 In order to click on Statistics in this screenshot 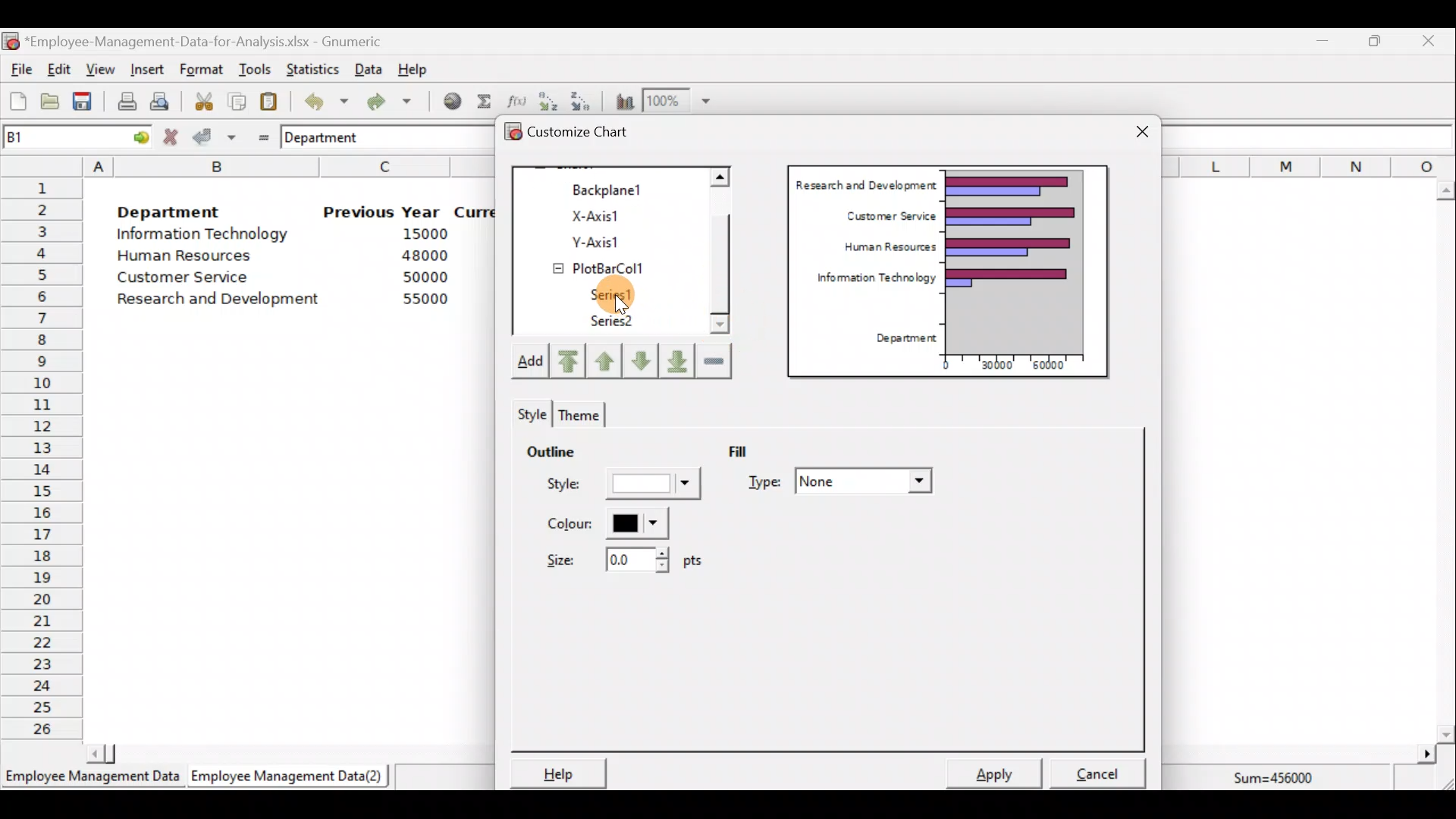, I will do `click(309, 67)`.